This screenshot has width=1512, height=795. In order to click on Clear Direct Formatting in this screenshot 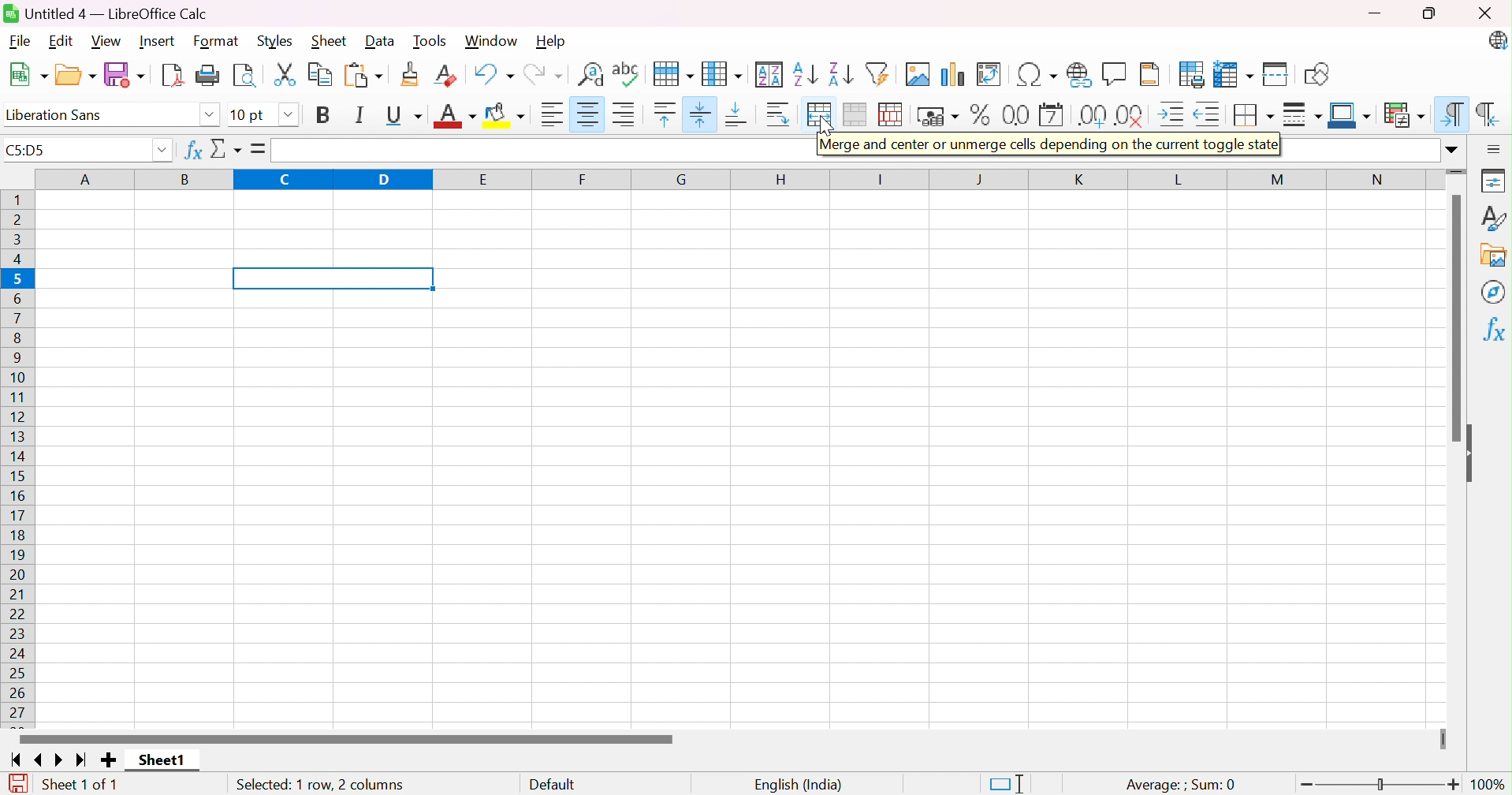, I will do `click(448, 74)`.